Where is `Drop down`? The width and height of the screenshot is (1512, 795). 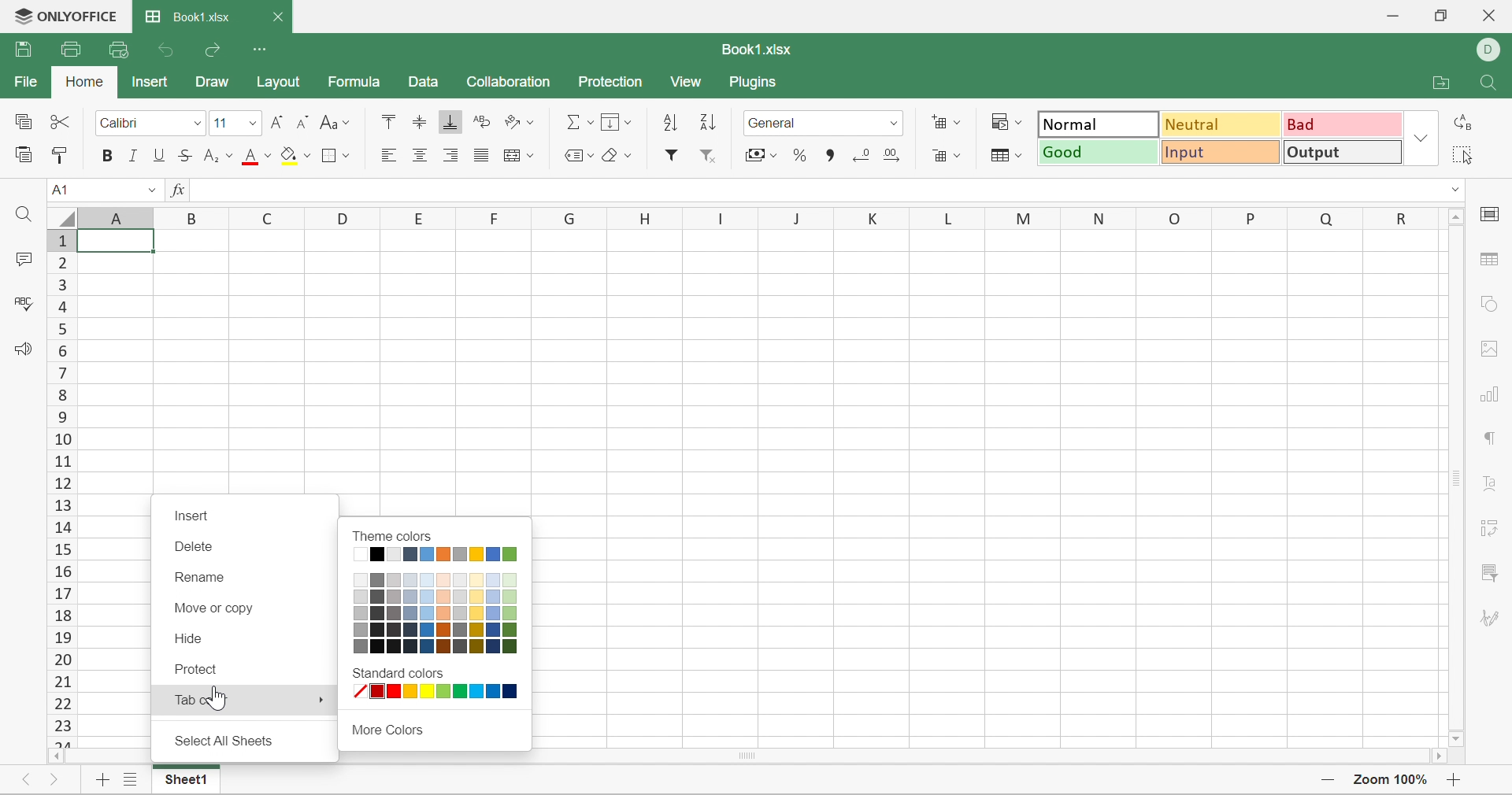
Drop down is located at coordinates (1421, 138).